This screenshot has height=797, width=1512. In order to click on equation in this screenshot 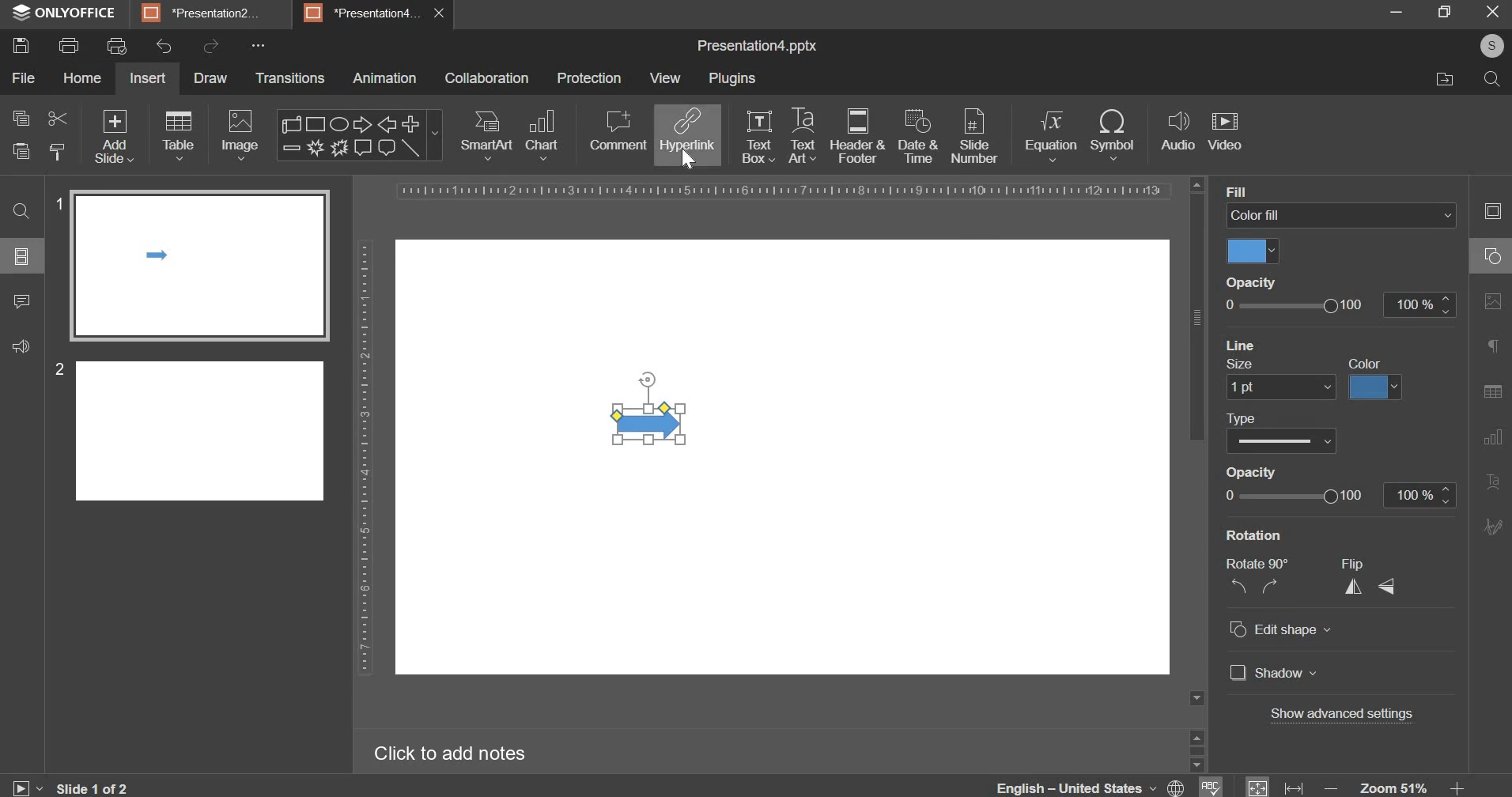, I will do `click(1051, 135)`.